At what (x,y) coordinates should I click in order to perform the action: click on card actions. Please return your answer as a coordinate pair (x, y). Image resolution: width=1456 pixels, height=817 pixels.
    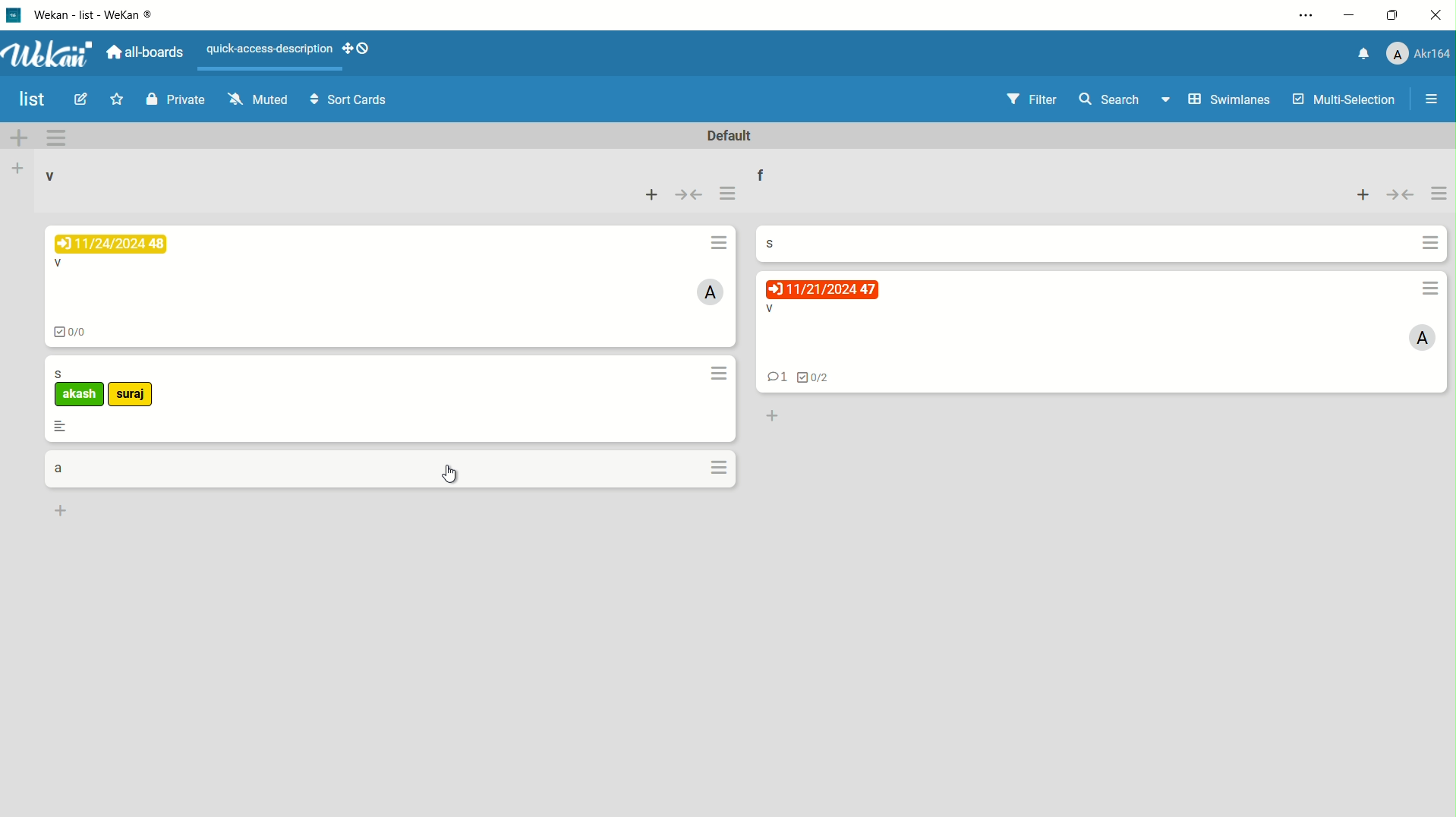
    Looking at the image, I should click on (722, 467).